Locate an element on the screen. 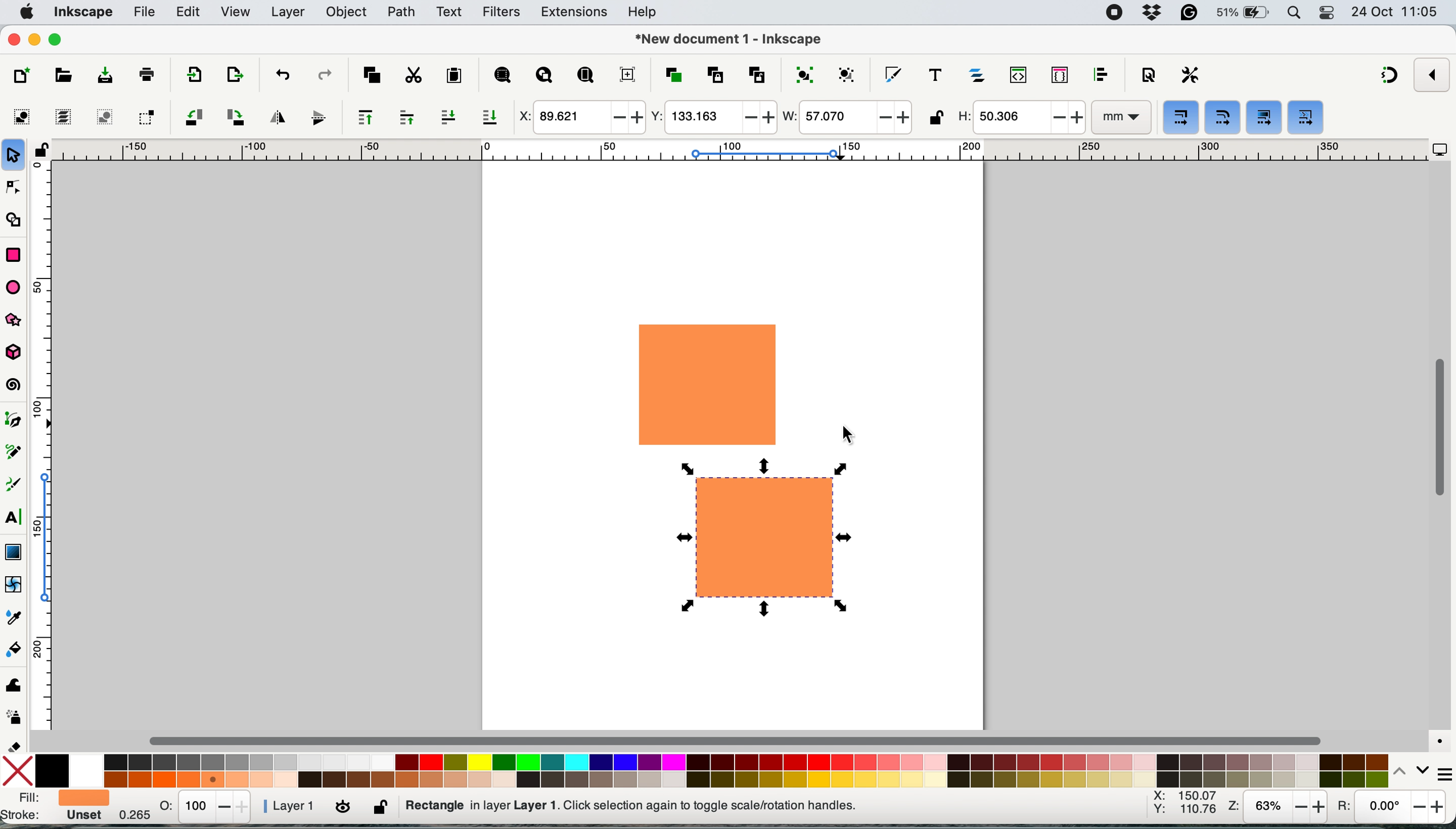 The width and height of the screenshot is (1456, 829). select all in all layers is located at coordinates (64, 117).